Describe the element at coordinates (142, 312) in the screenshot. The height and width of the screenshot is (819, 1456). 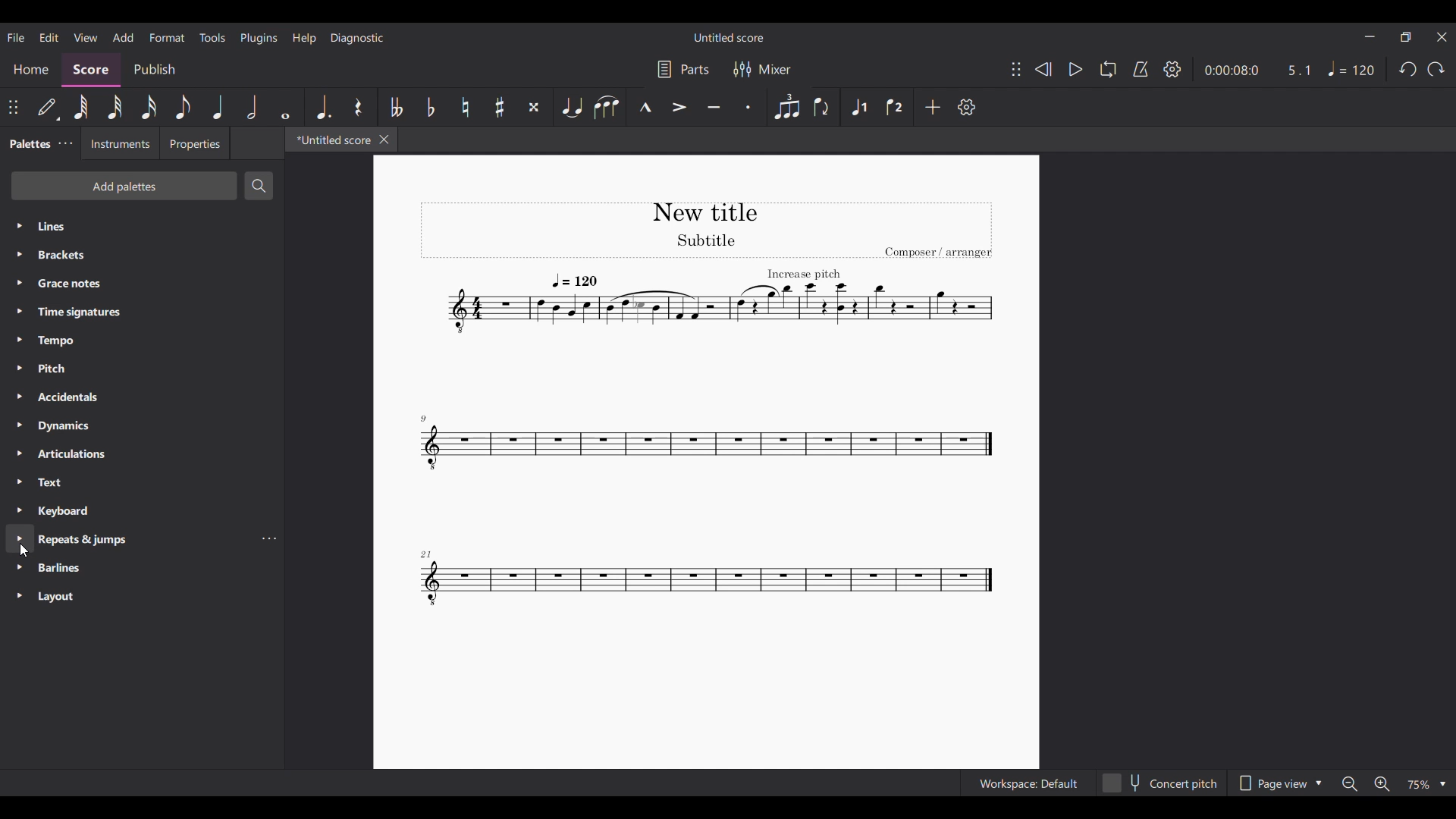
I see `Time signatures` at that location.